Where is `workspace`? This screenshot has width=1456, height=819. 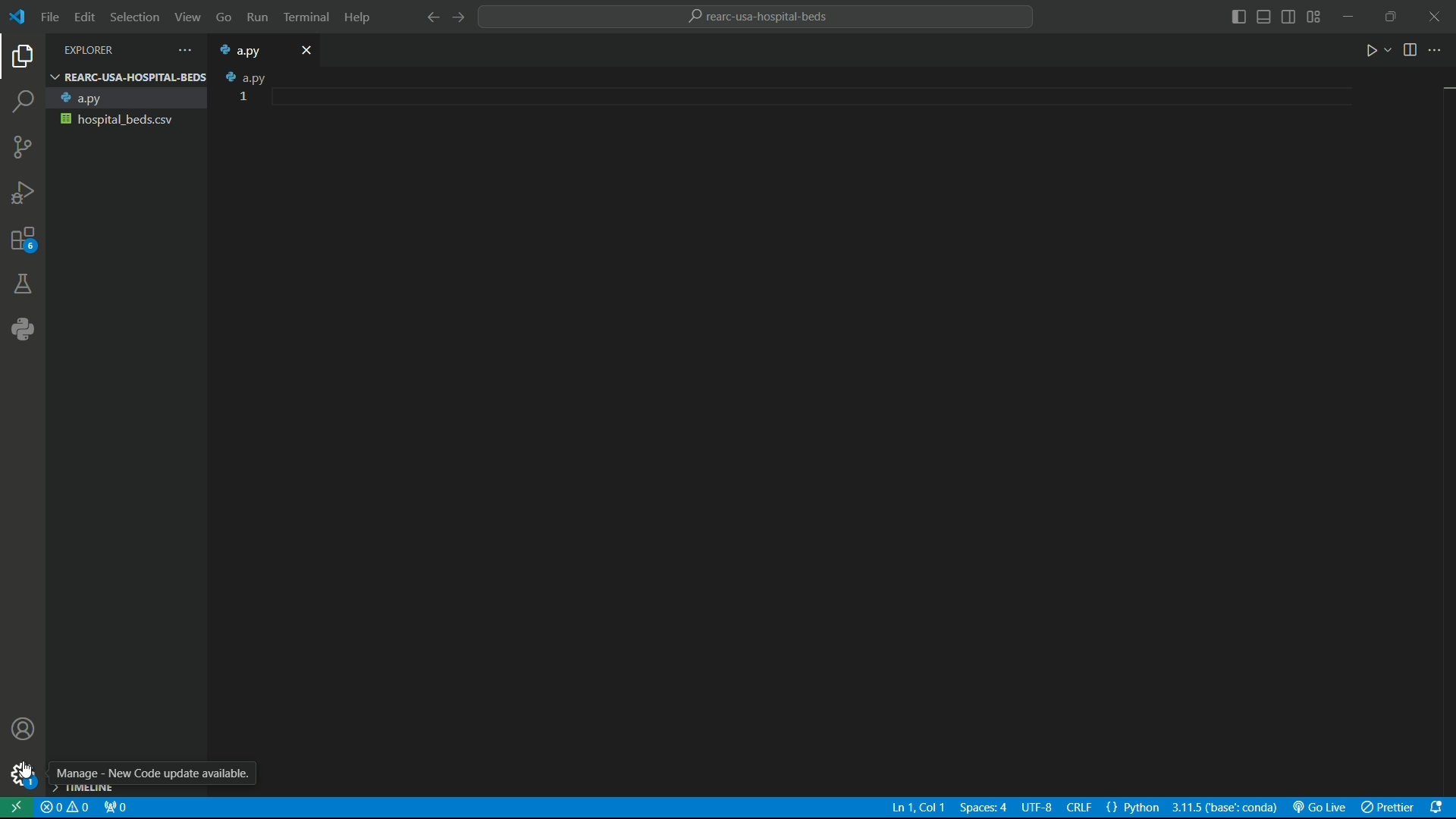
workspace is located at coordinates (855, 426).